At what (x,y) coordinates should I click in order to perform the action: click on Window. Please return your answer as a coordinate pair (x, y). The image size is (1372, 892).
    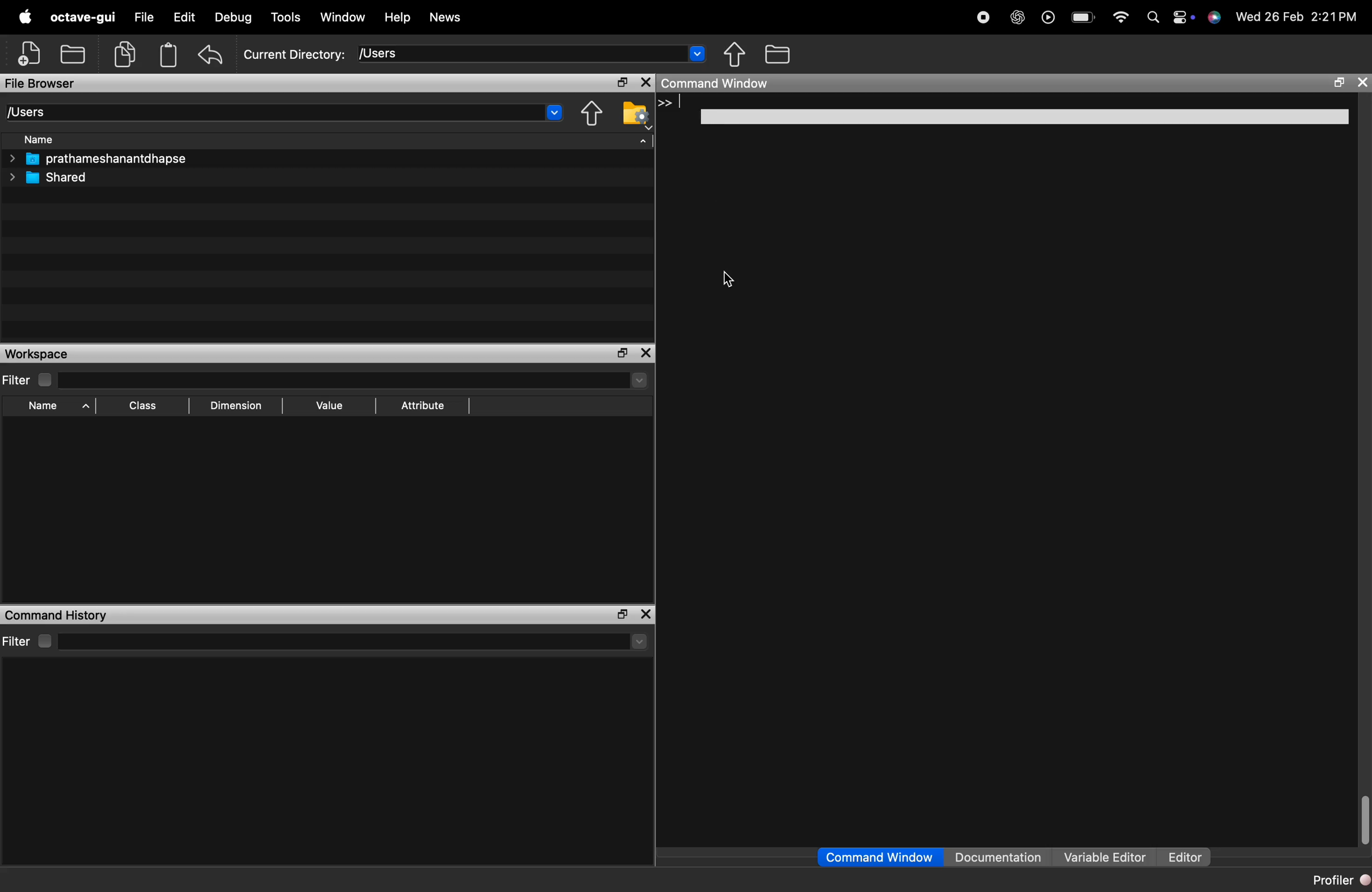
    Looking at the image, I should click on (345, 19).